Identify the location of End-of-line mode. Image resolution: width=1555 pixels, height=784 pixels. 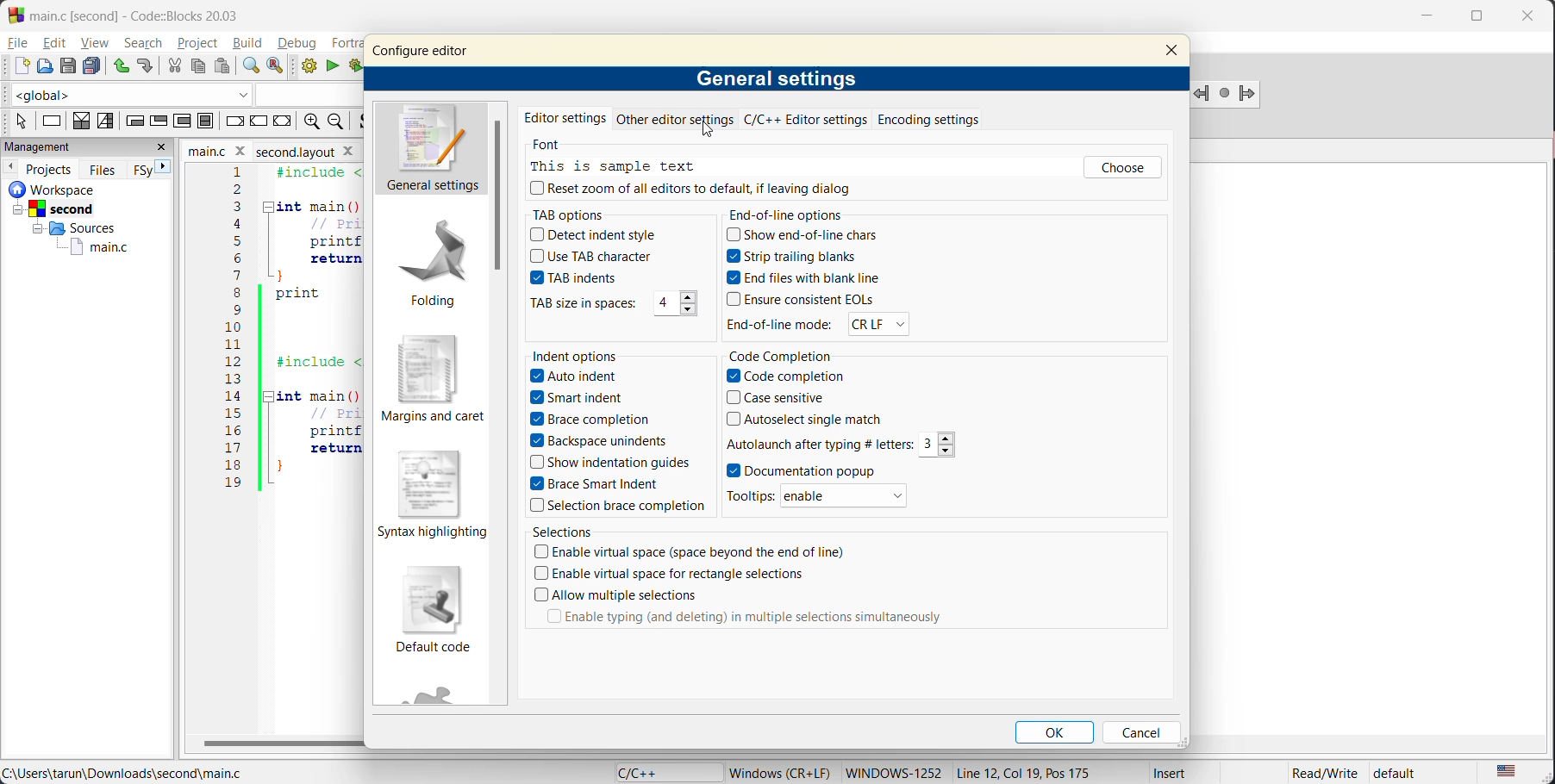
(779, 323).